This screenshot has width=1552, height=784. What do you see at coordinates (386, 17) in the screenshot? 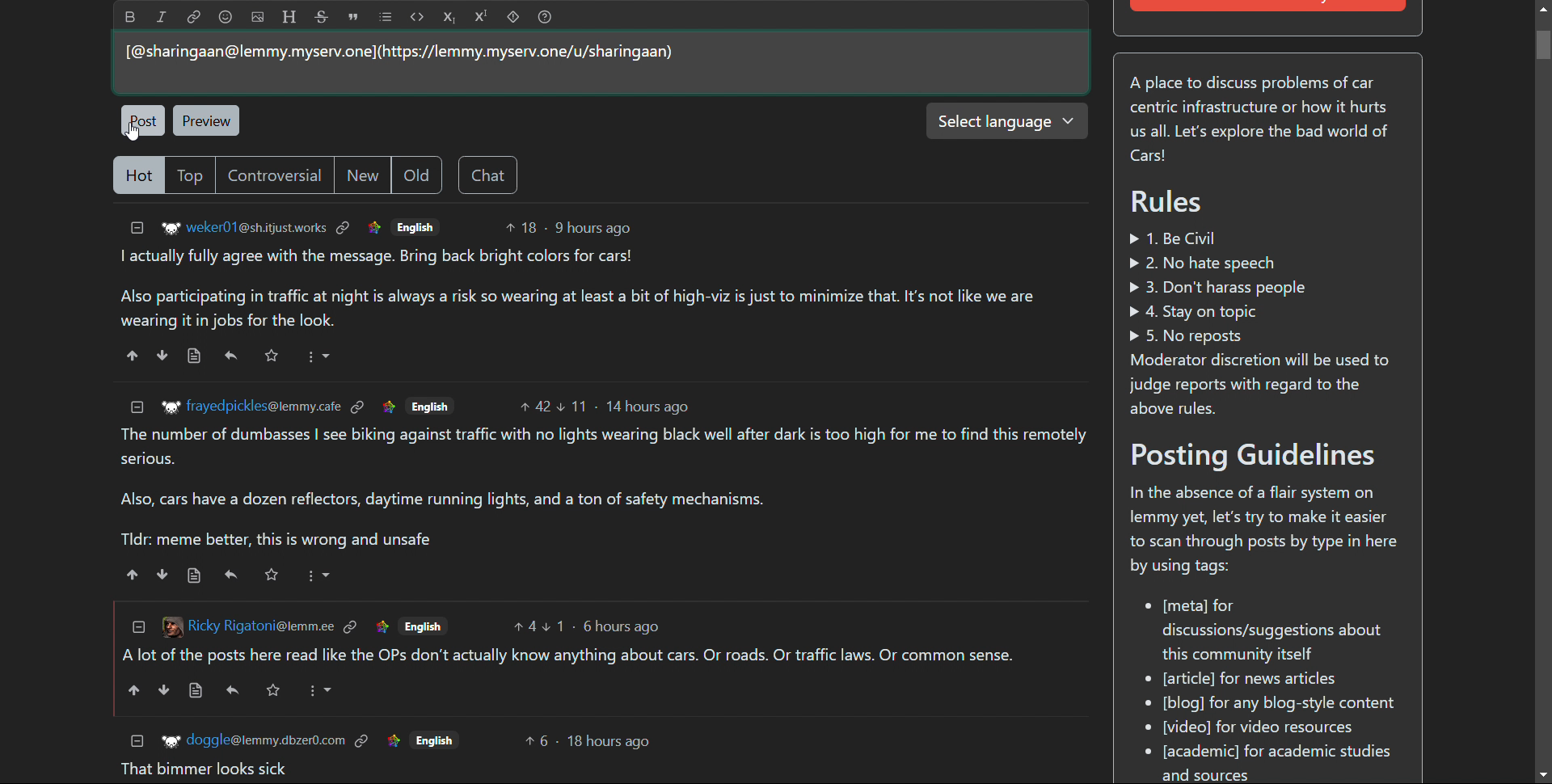
I see `list` at bounding box center [386, 17].